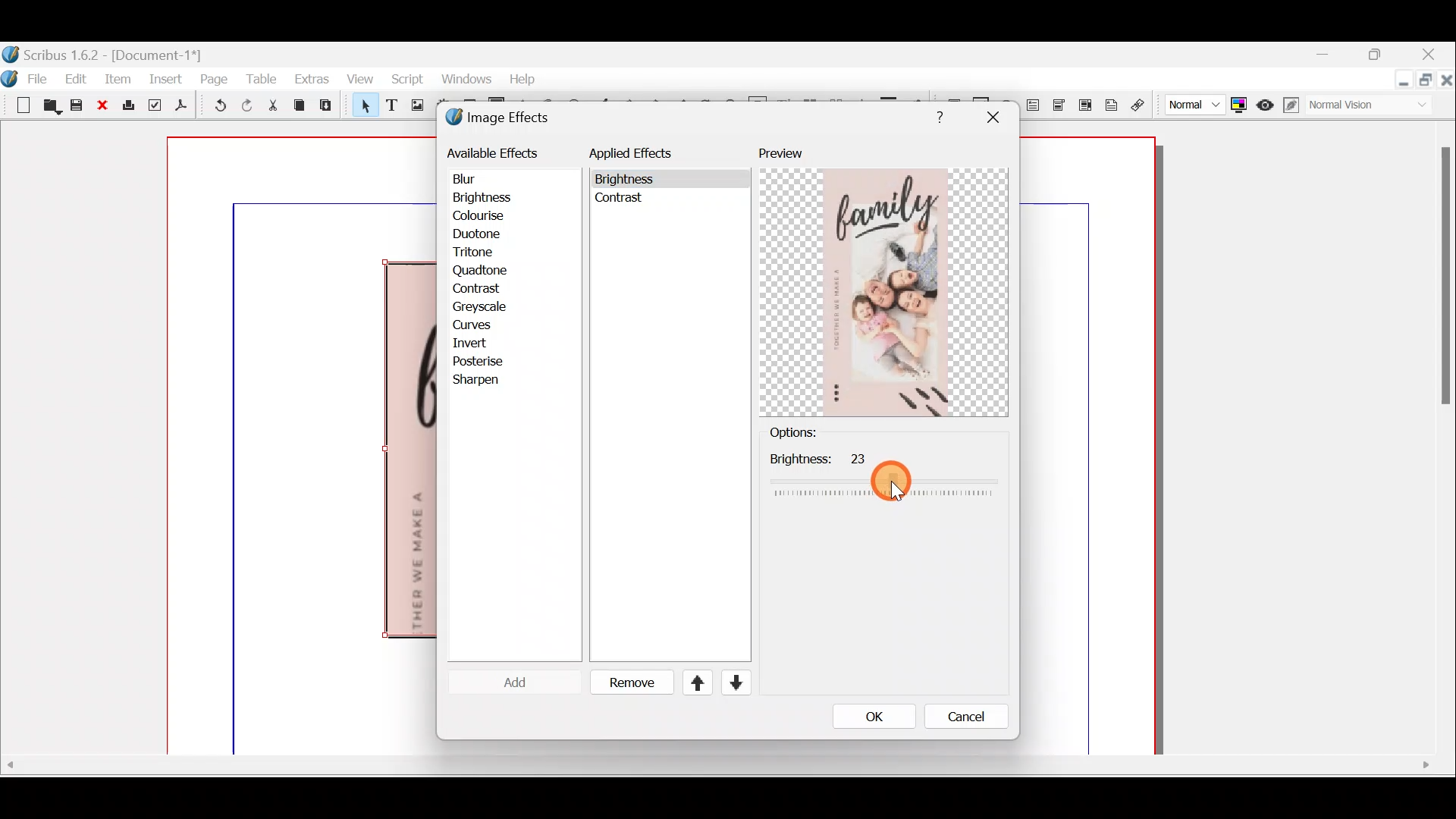 The height and width of the screenshot is (819, 1456). What do you see at coordinates (246, 105) in the screenshot?
I see `Redo` at bounding box center [246, 105].